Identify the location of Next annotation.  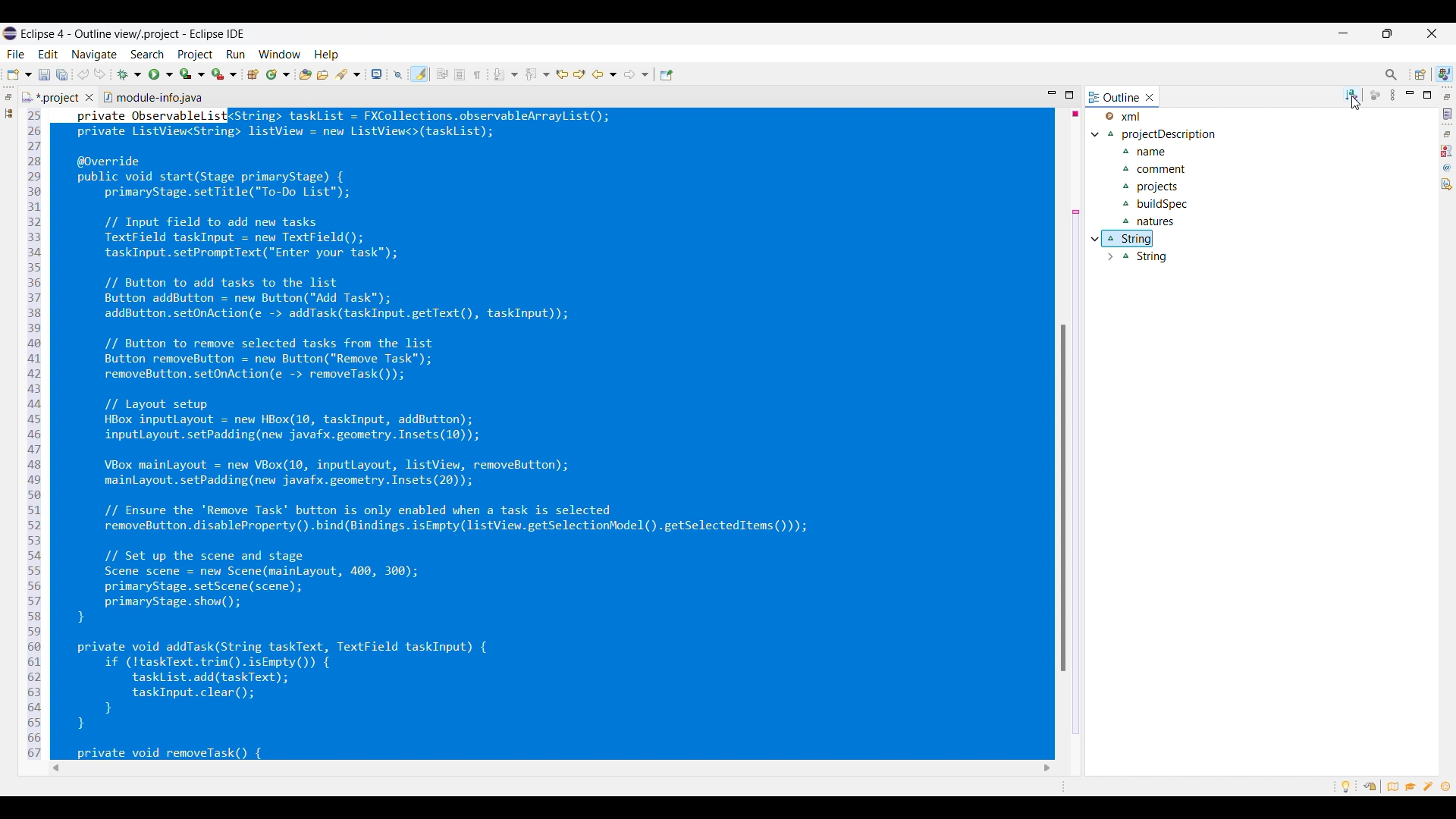
(505, 74).